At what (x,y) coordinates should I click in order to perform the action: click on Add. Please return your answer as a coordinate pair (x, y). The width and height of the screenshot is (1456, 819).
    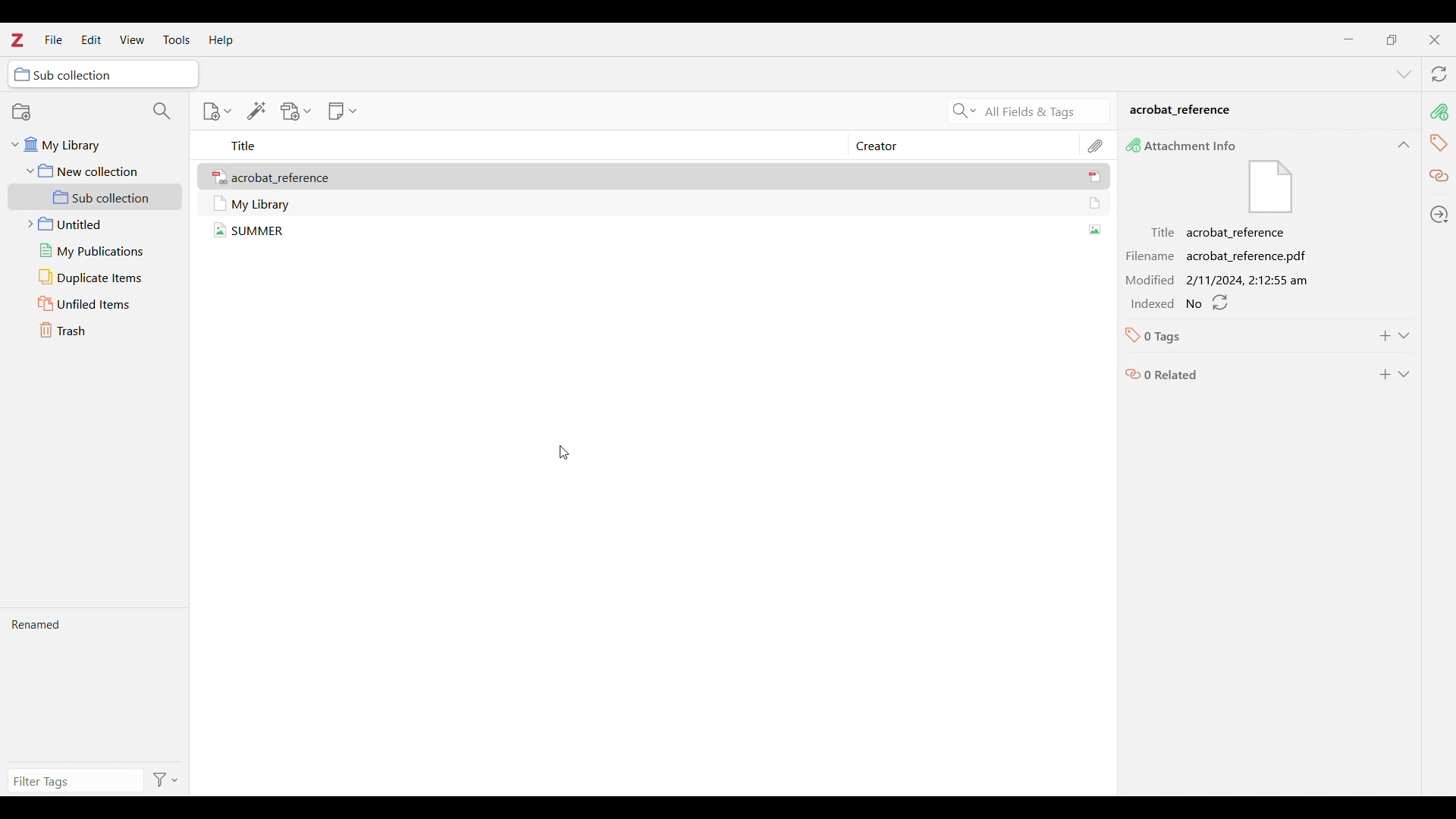
    Looking at the image, I should click on (1385, 374).